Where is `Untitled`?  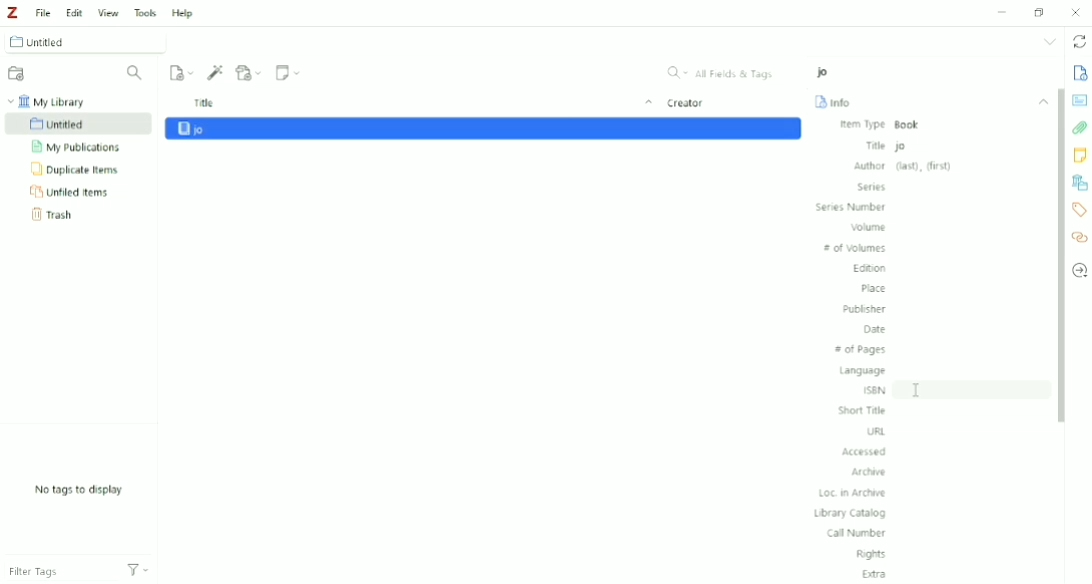 Untitled is located at coordinates (79, 124).